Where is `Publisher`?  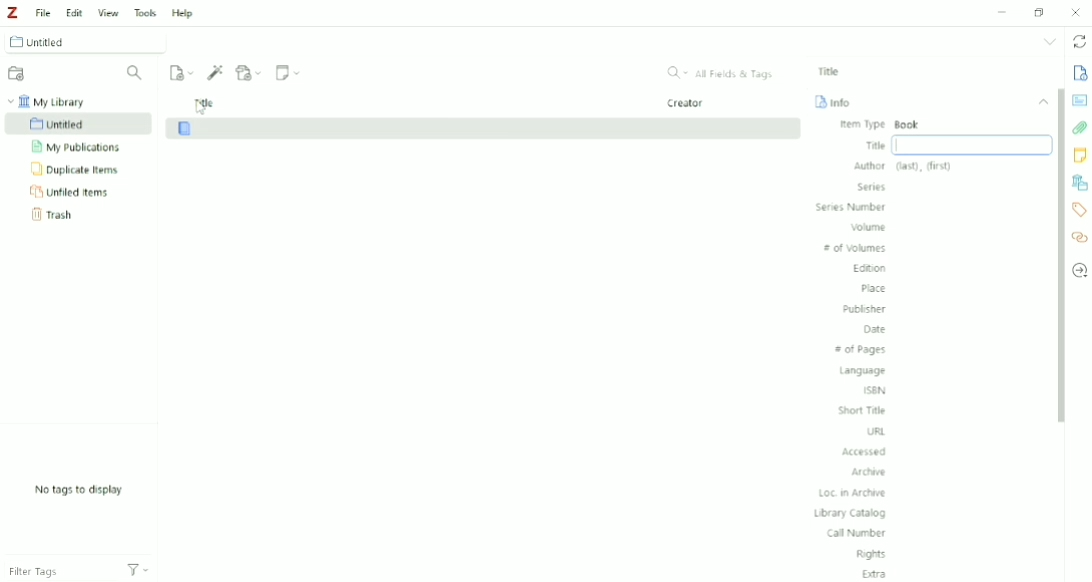
Publisher is located at coordinates (865, 309).